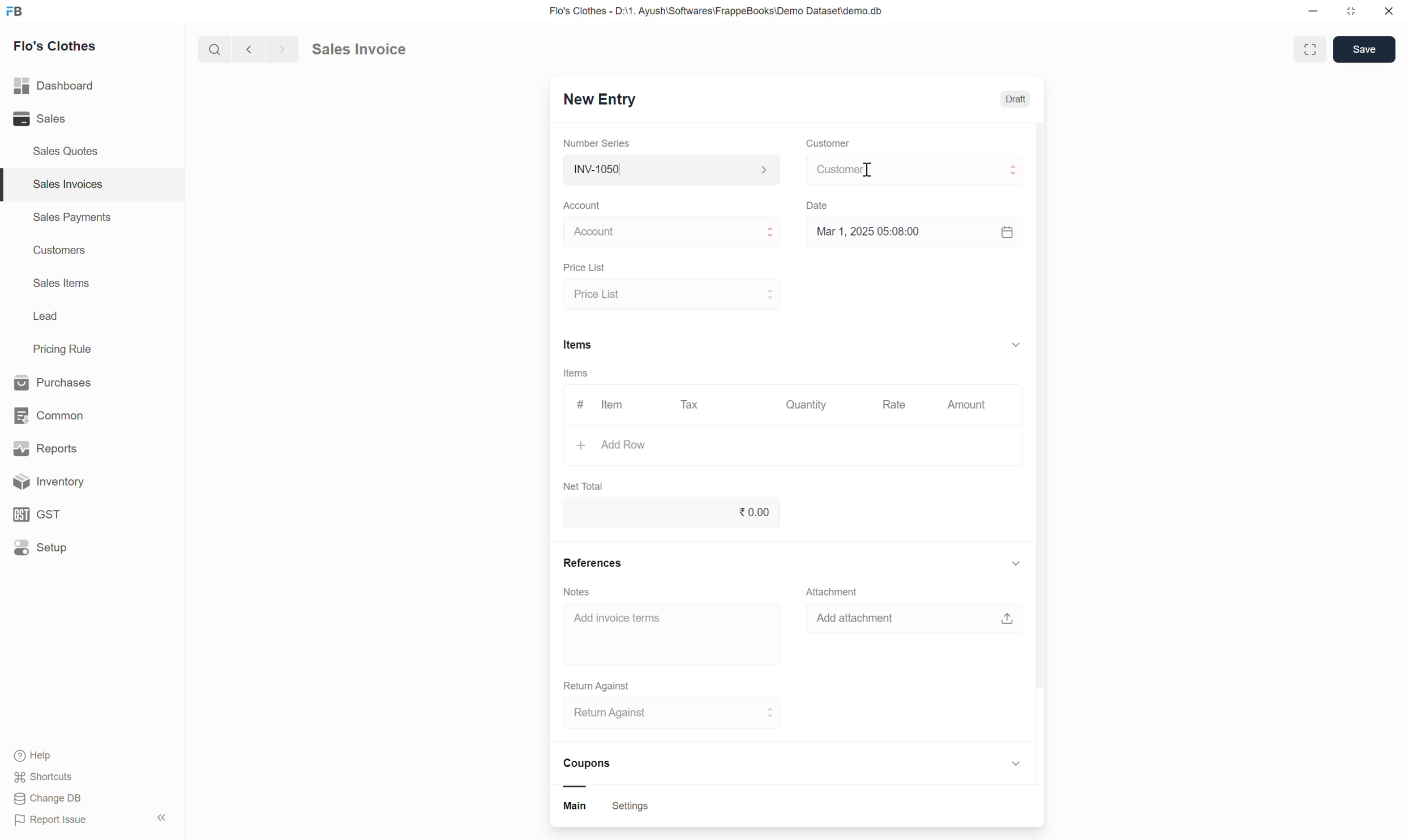  What do you see at coordinates (666, 235) in the screenshot?
I see `Select Account` at bounding box center [666, 235].